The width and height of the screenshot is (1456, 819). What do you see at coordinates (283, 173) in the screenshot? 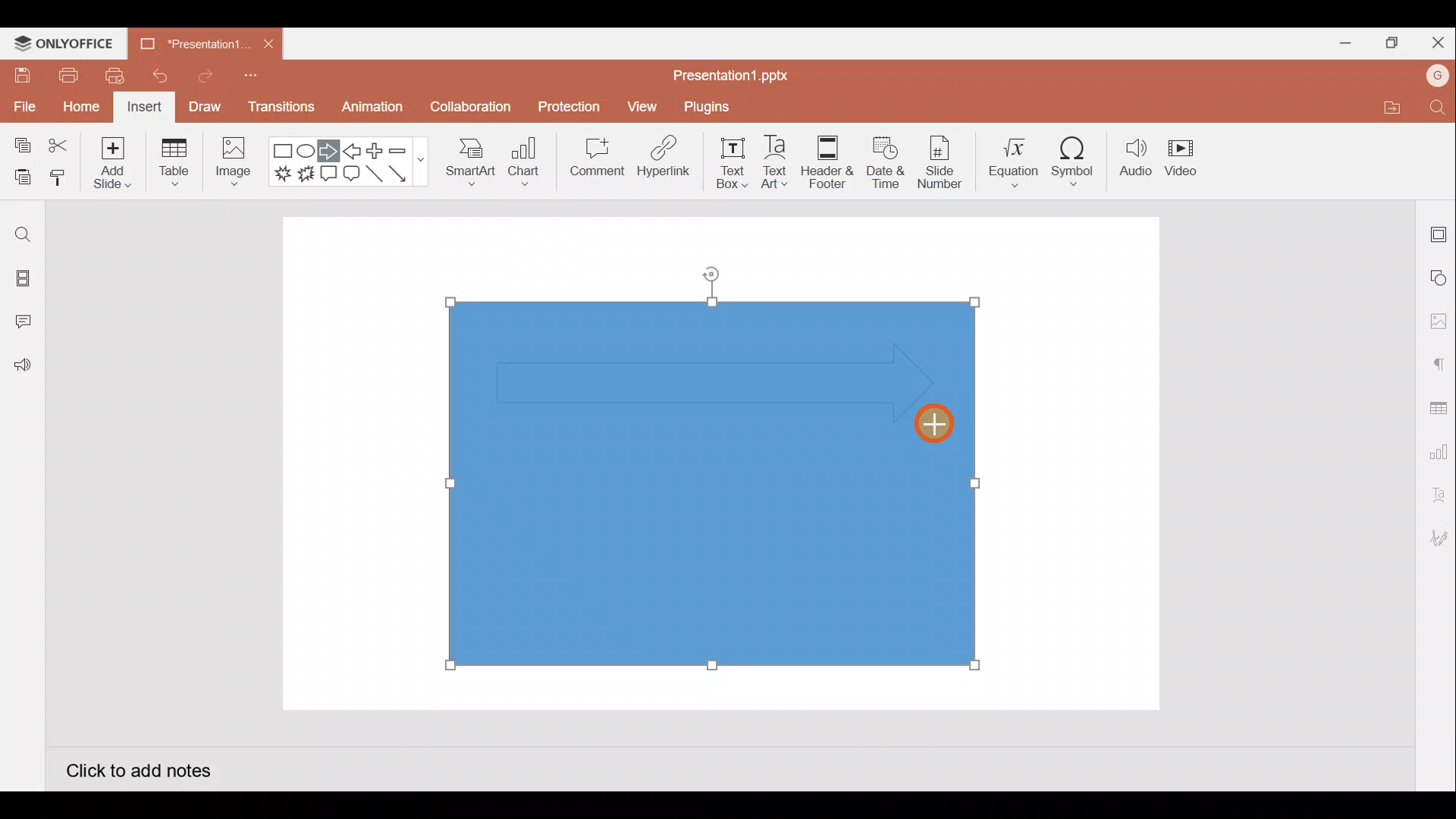
I see `Explosion 1` at bounding box center [283, 173].